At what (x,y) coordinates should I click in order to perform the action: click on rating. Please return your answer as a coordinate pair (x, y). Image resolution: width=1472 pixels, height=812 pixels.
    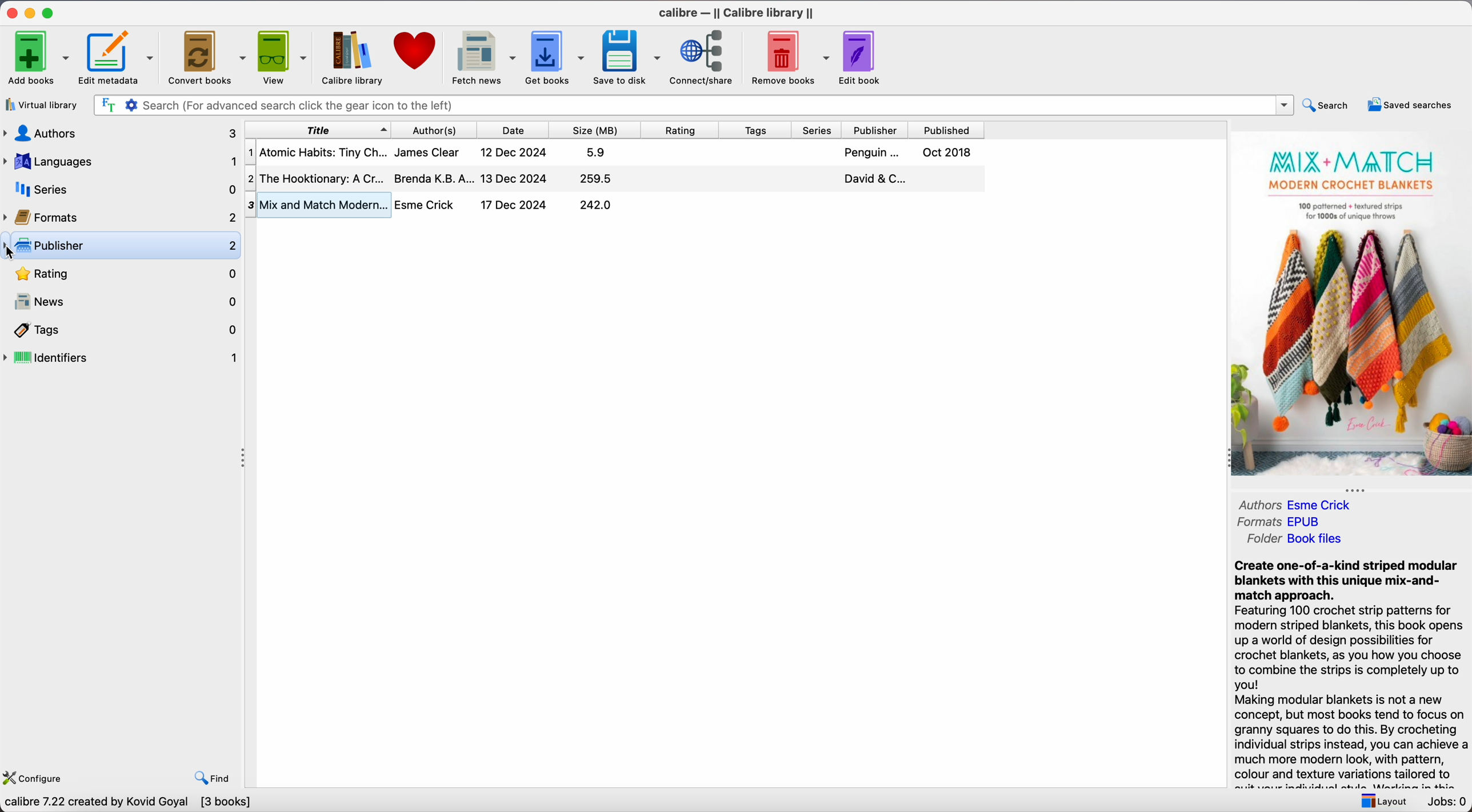
    Looking at the image, I should click on (685, 130).